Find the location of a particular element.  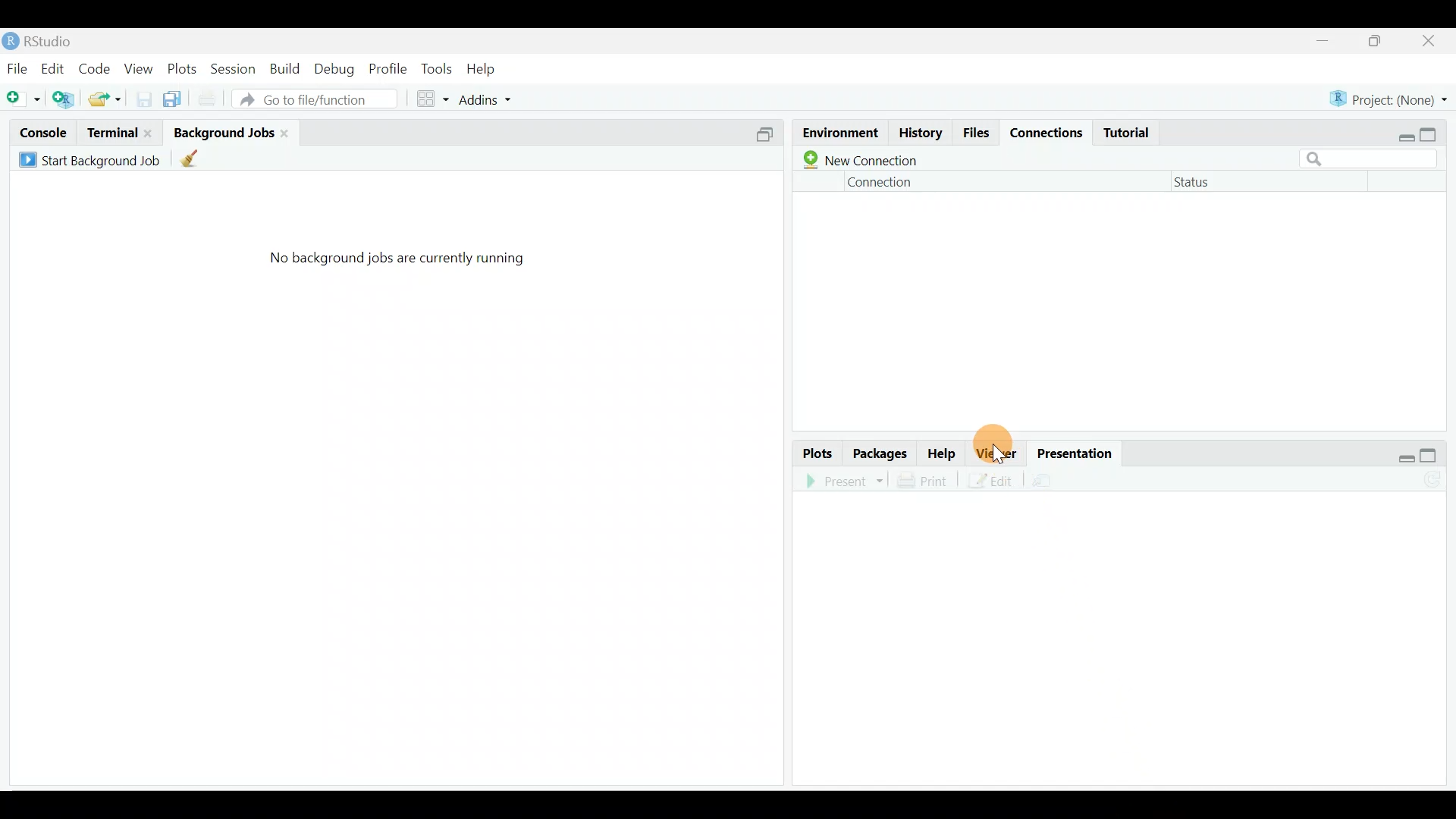

Edit is located at coordinates (996, 479).